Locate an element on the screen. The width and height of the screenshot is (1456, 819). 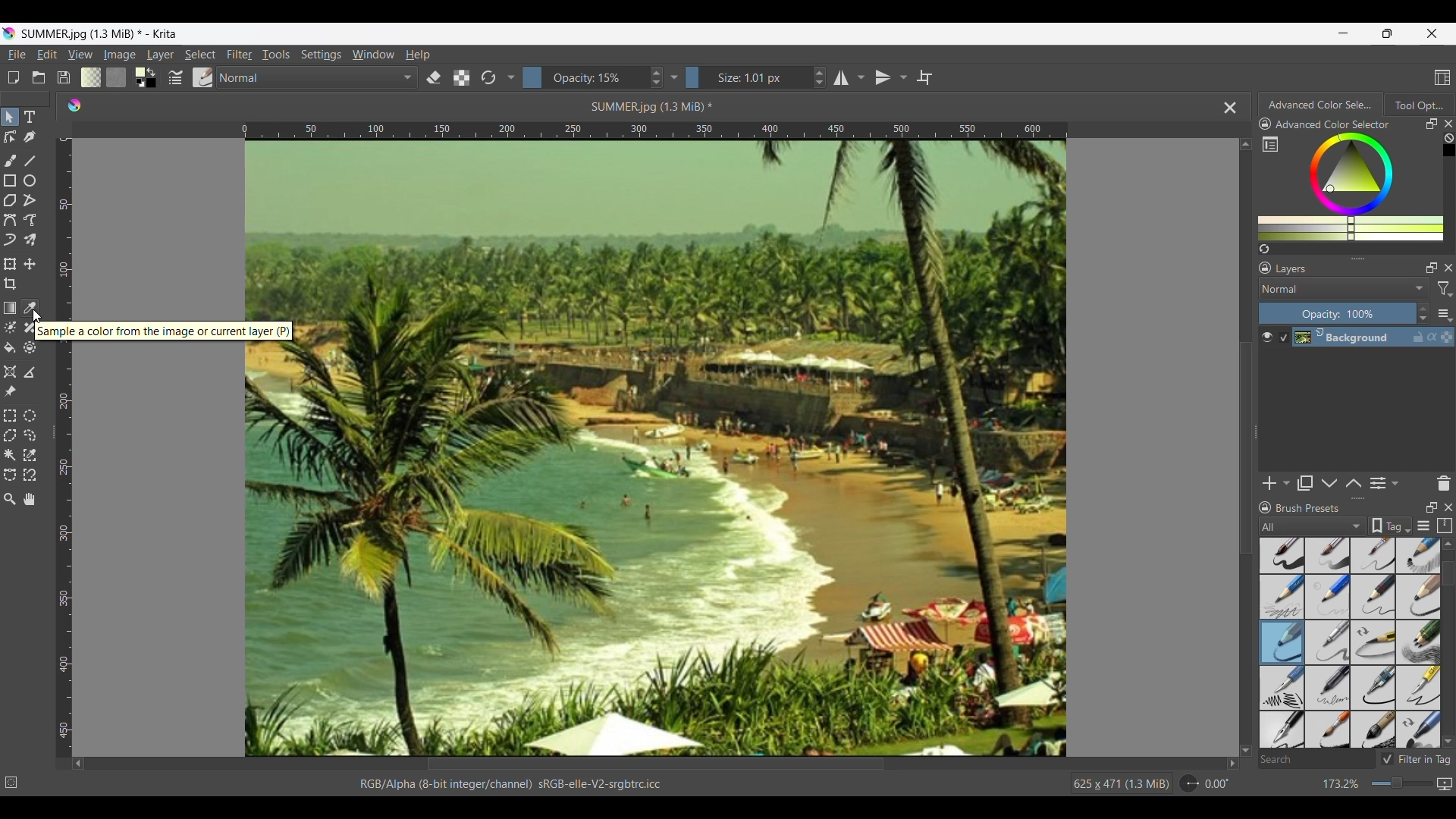
Multibrush tool is located at coordinates (30, 240).